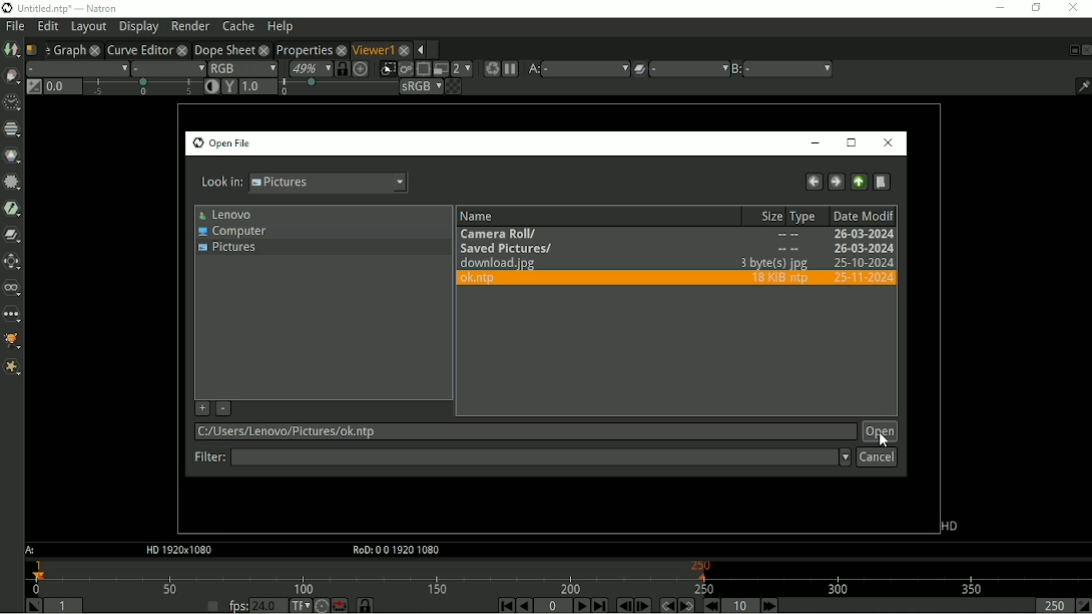  What do you see at coordinates (341, 49) in the screenshot?
I see `close` at bounding box center [341, 49].